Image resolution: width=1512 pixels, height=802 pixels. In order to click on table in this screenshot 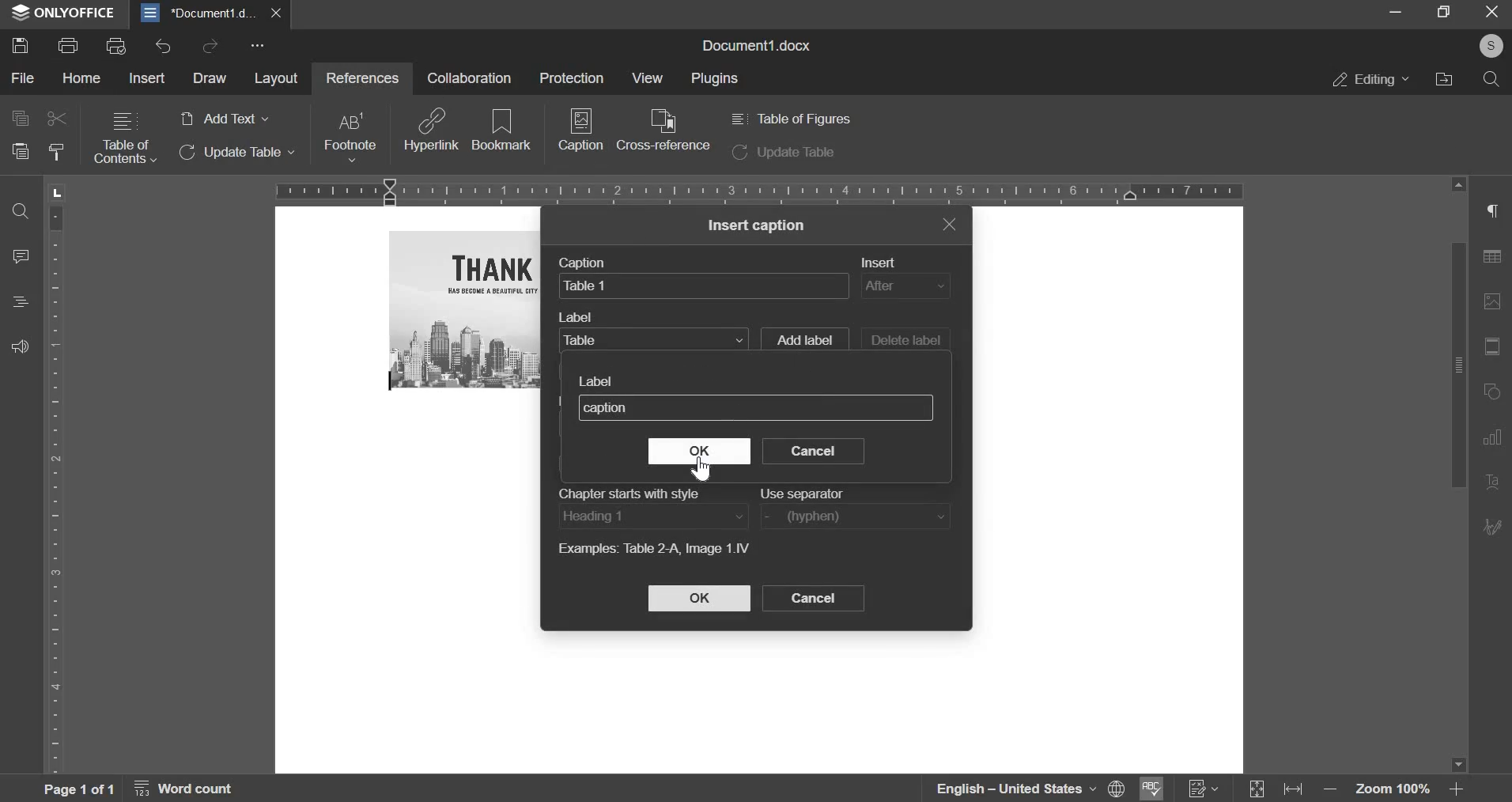, I will do `click(1497, 260)`.